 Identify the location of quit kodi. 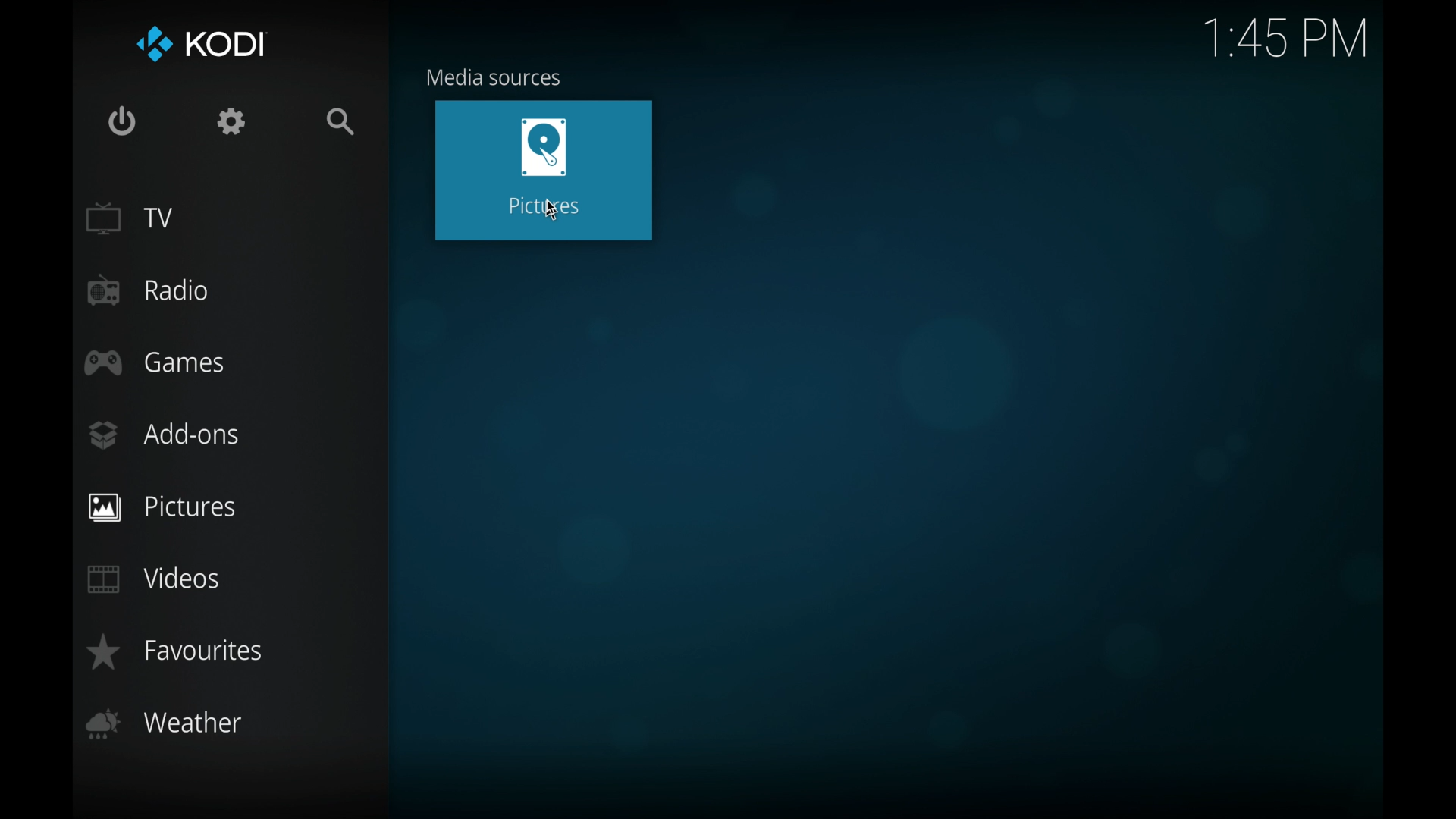
(121, 121).